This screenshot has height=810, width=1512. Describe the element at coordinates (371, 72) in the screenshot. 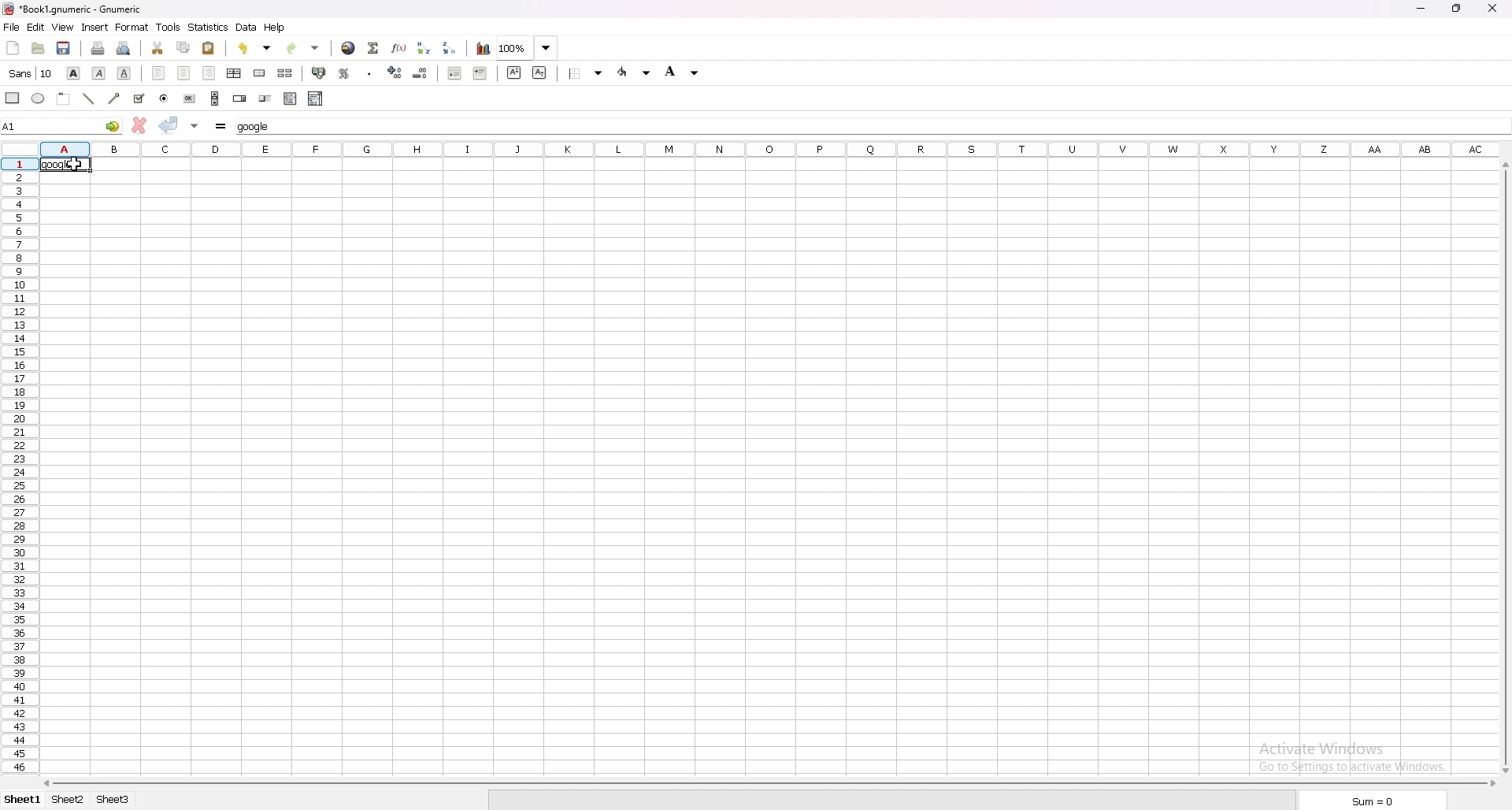

I see `thousands separator` at that location.